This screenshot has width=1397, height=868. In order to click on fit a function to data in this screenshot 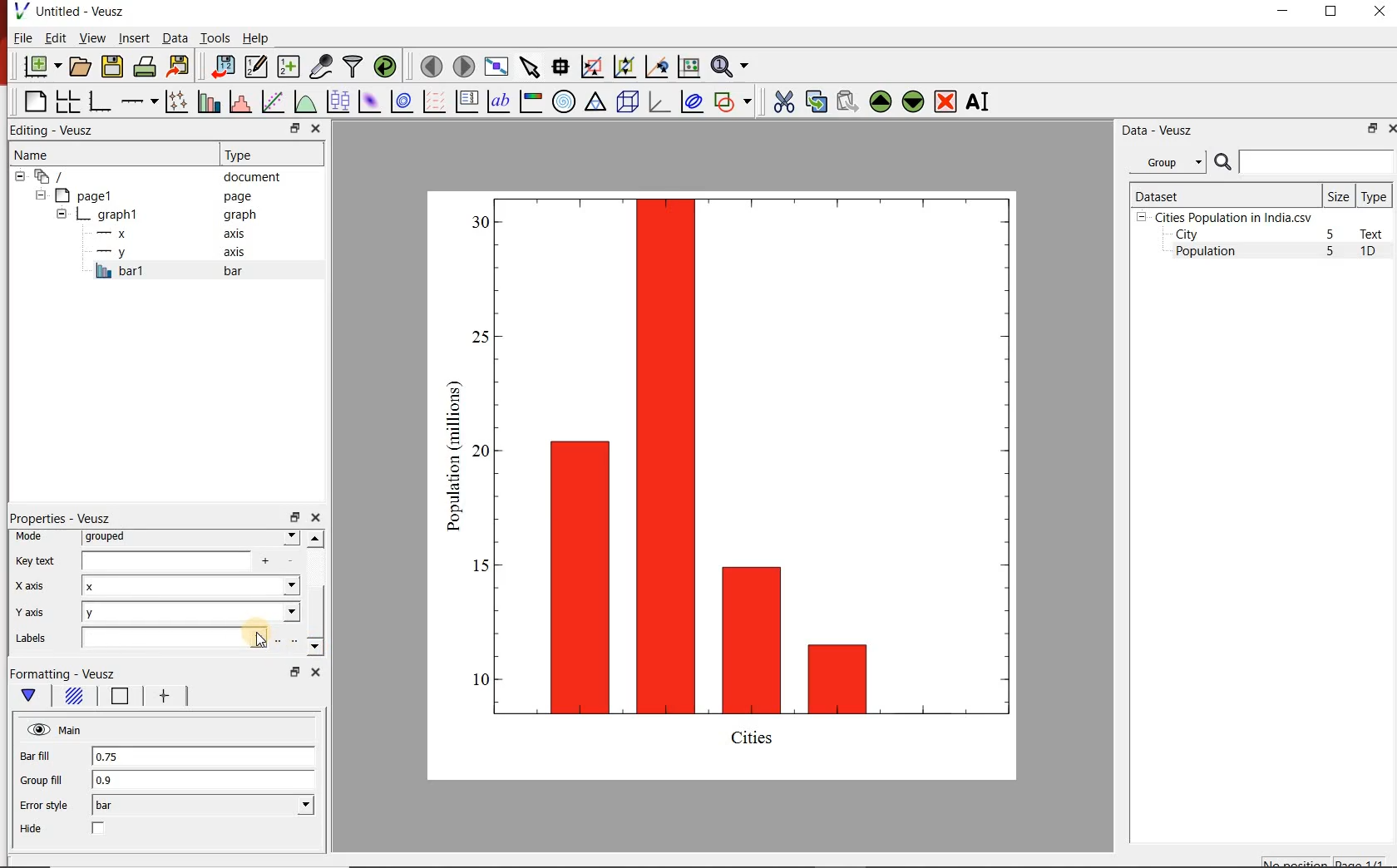, I will do `click(272, 101)`.